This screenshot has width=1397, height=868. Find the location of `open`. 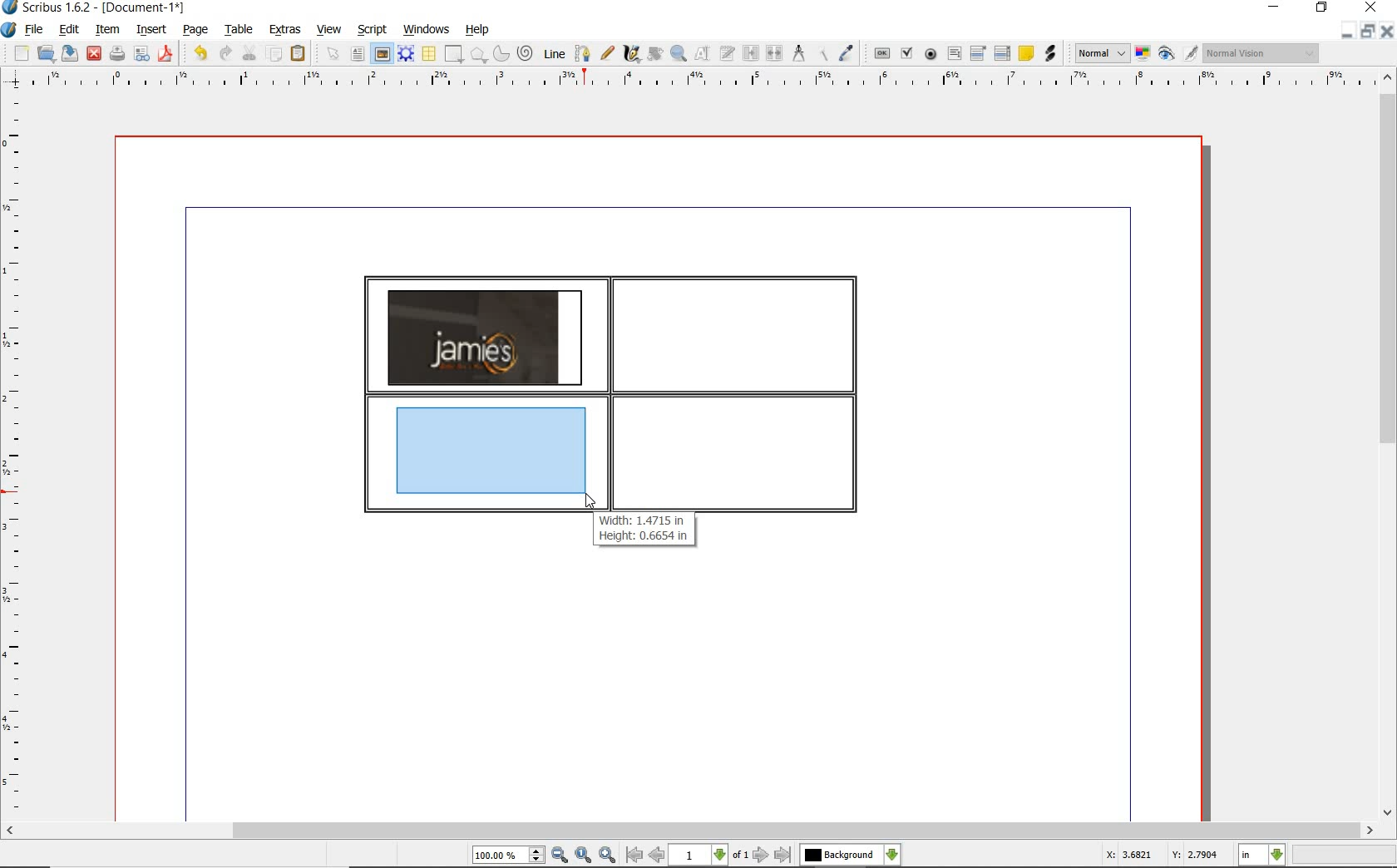

open is located at coordinates (47, 54).